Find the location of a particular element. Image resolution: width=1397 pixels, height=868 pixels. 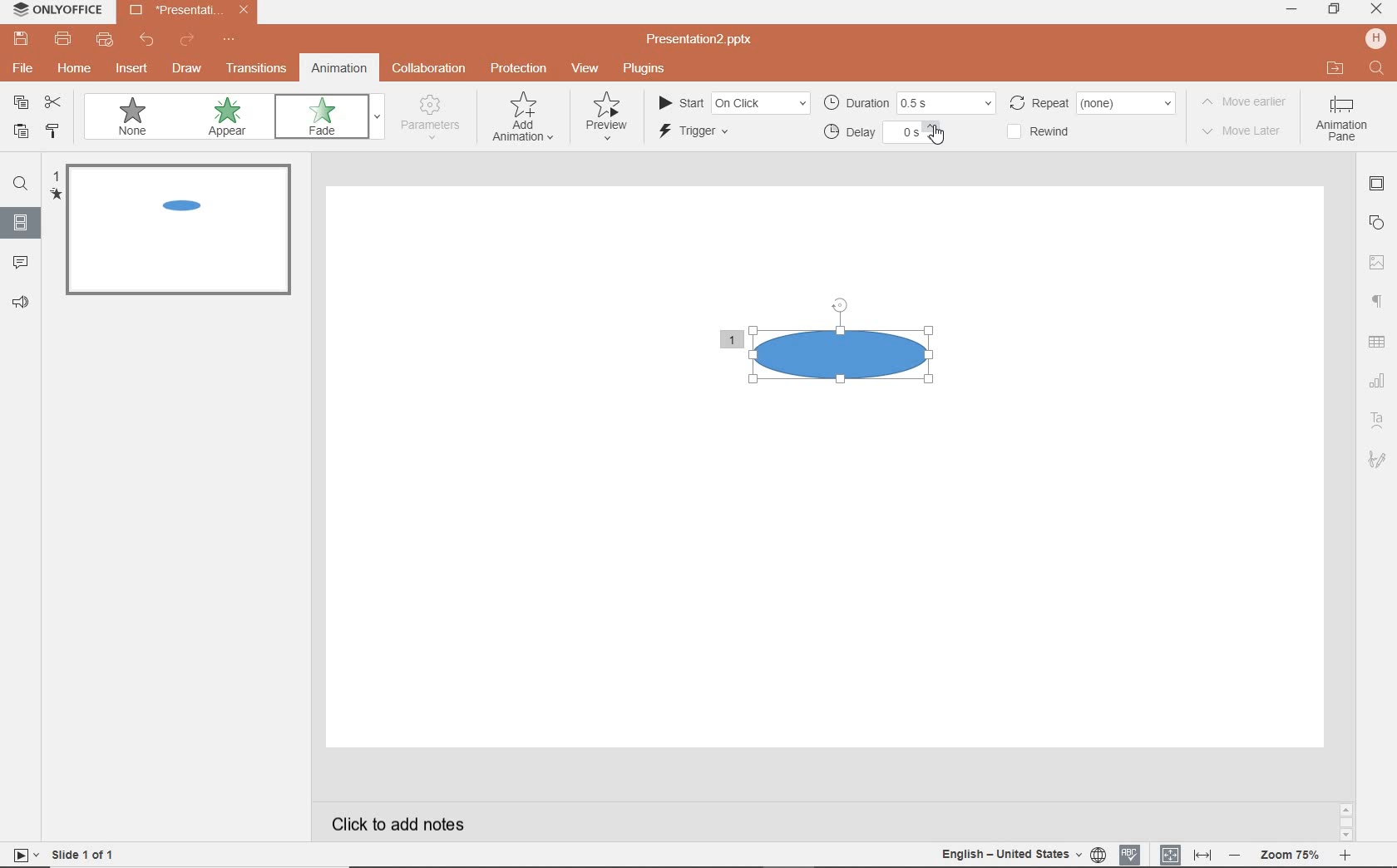

parameters is located at coordinates (430, 118).